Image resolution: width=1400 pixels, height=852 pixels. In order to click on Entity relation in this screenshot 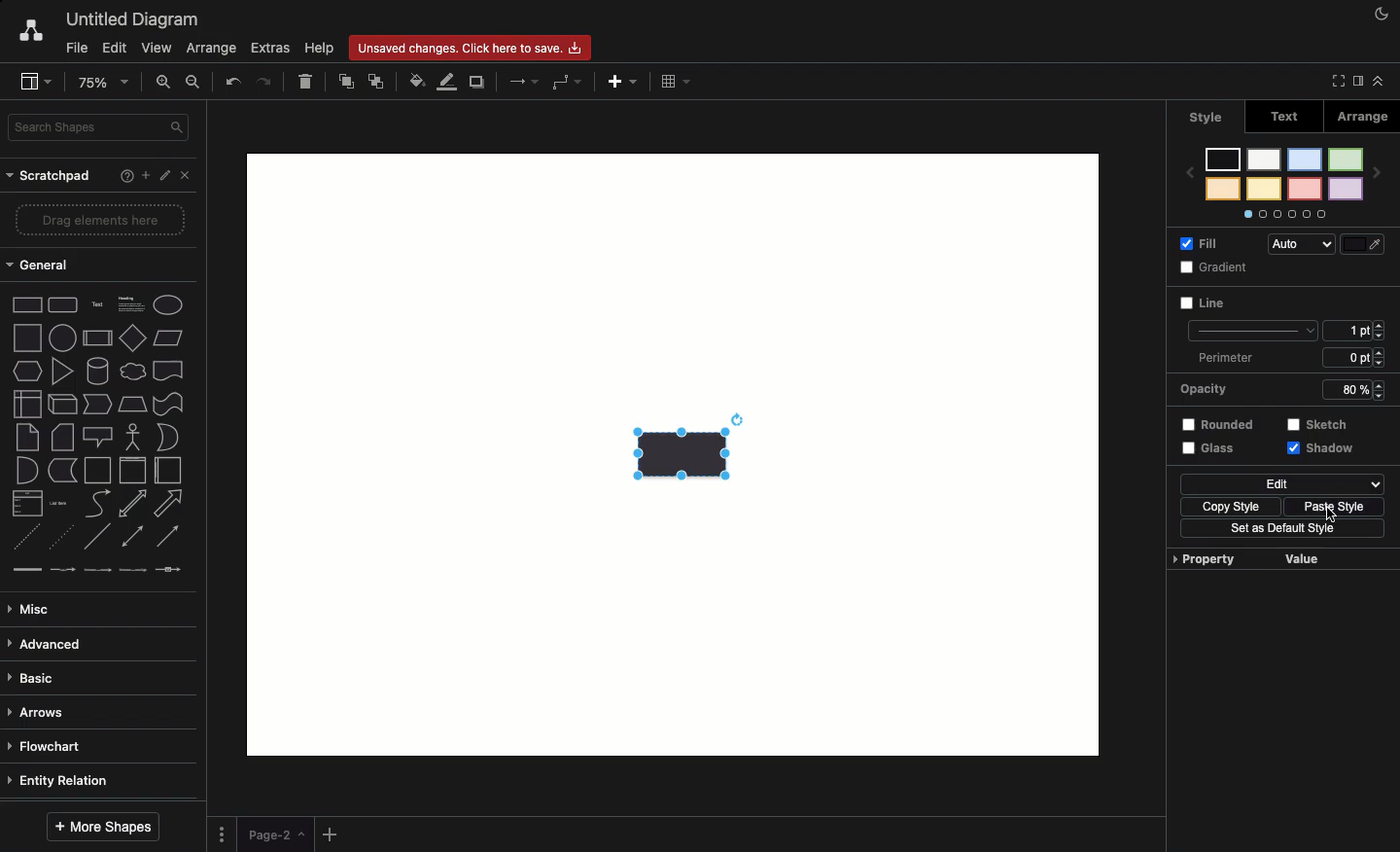, I will do `click(60, 782)`.